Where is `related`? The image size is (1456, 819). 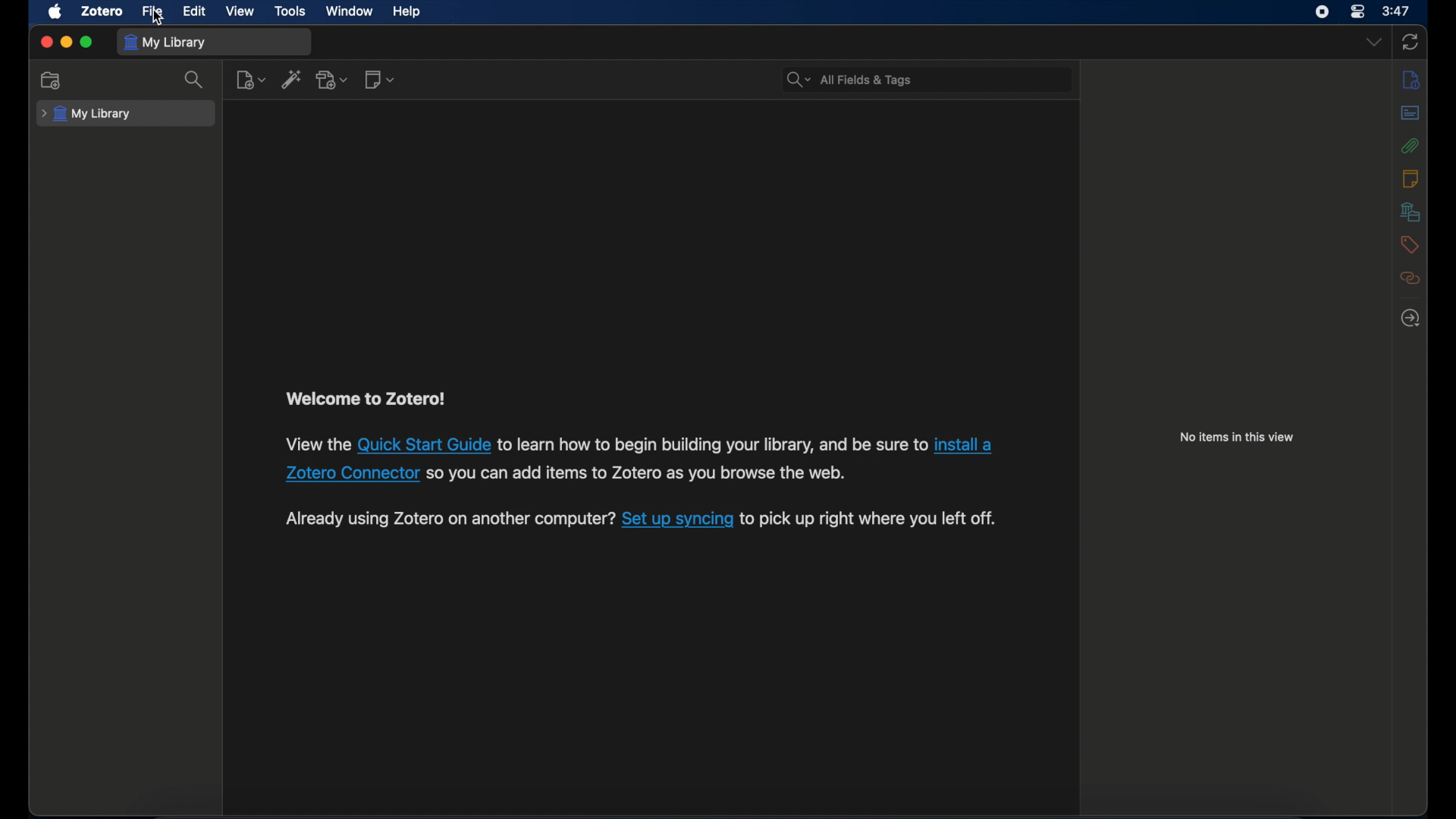 related is located at coordinates (1411, 278).